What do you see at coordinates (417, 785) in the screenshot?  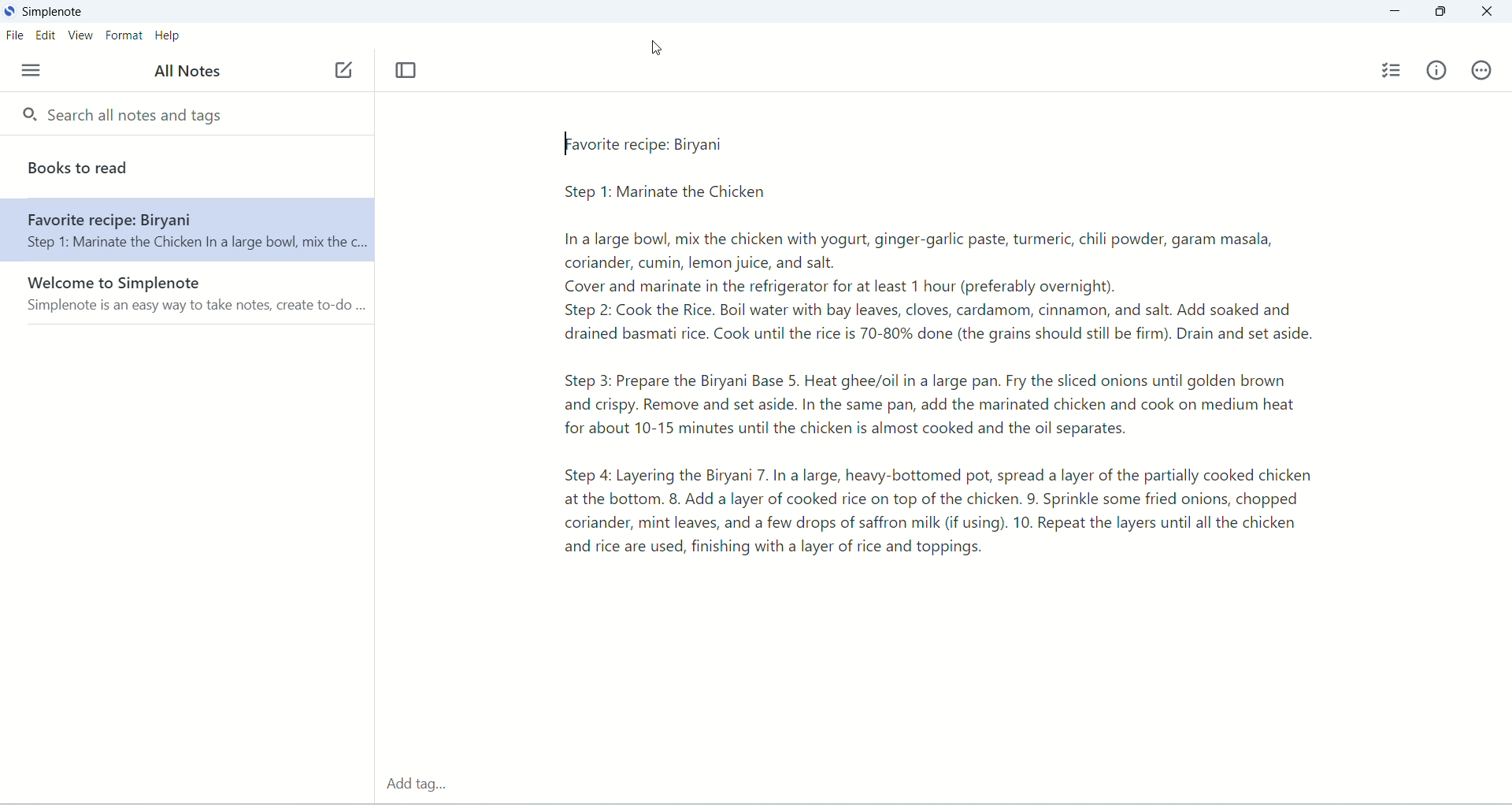 I see `add tags` at bounding box center [417, 785].